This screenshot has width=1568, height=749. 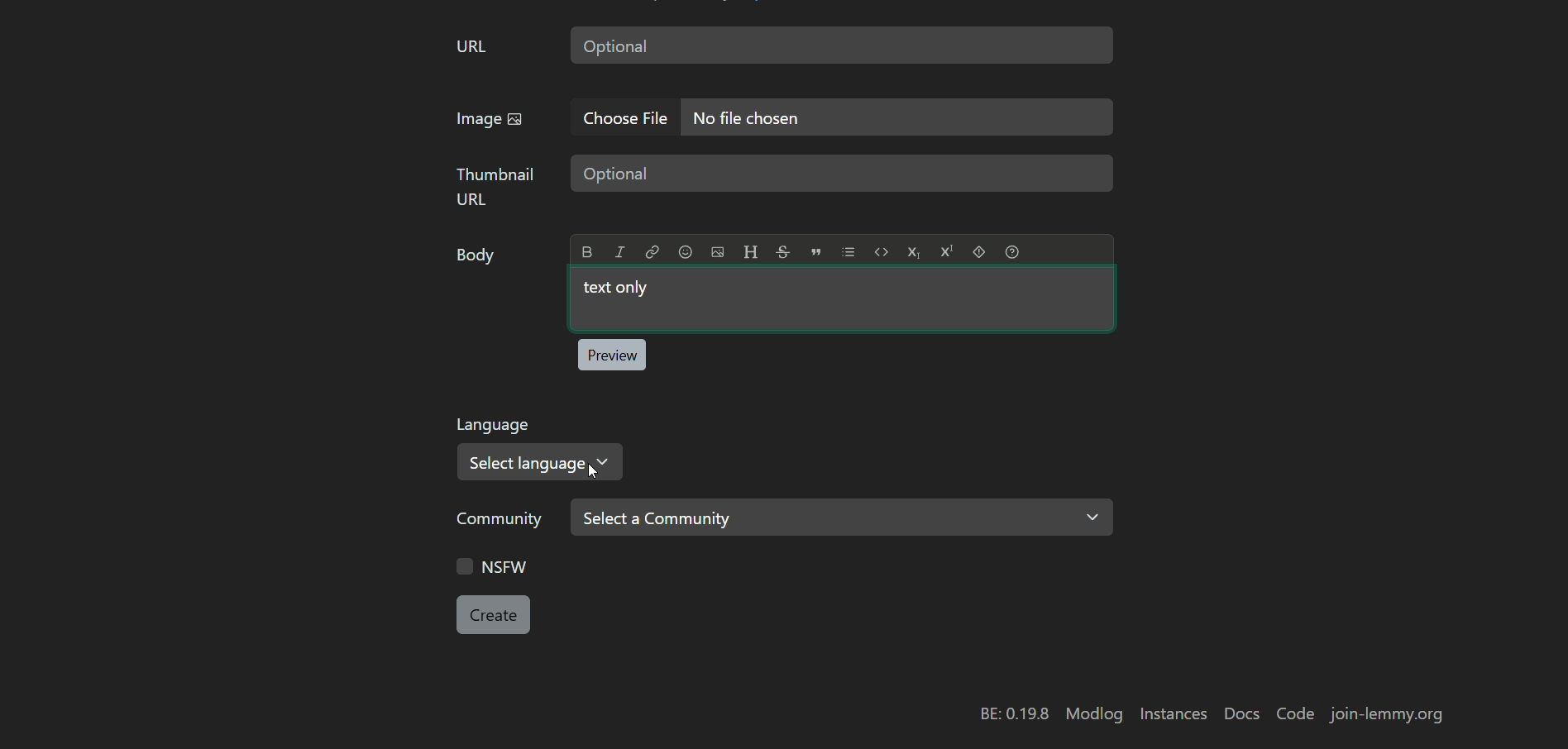 I want to click on URL, so click(x=471, y=48).